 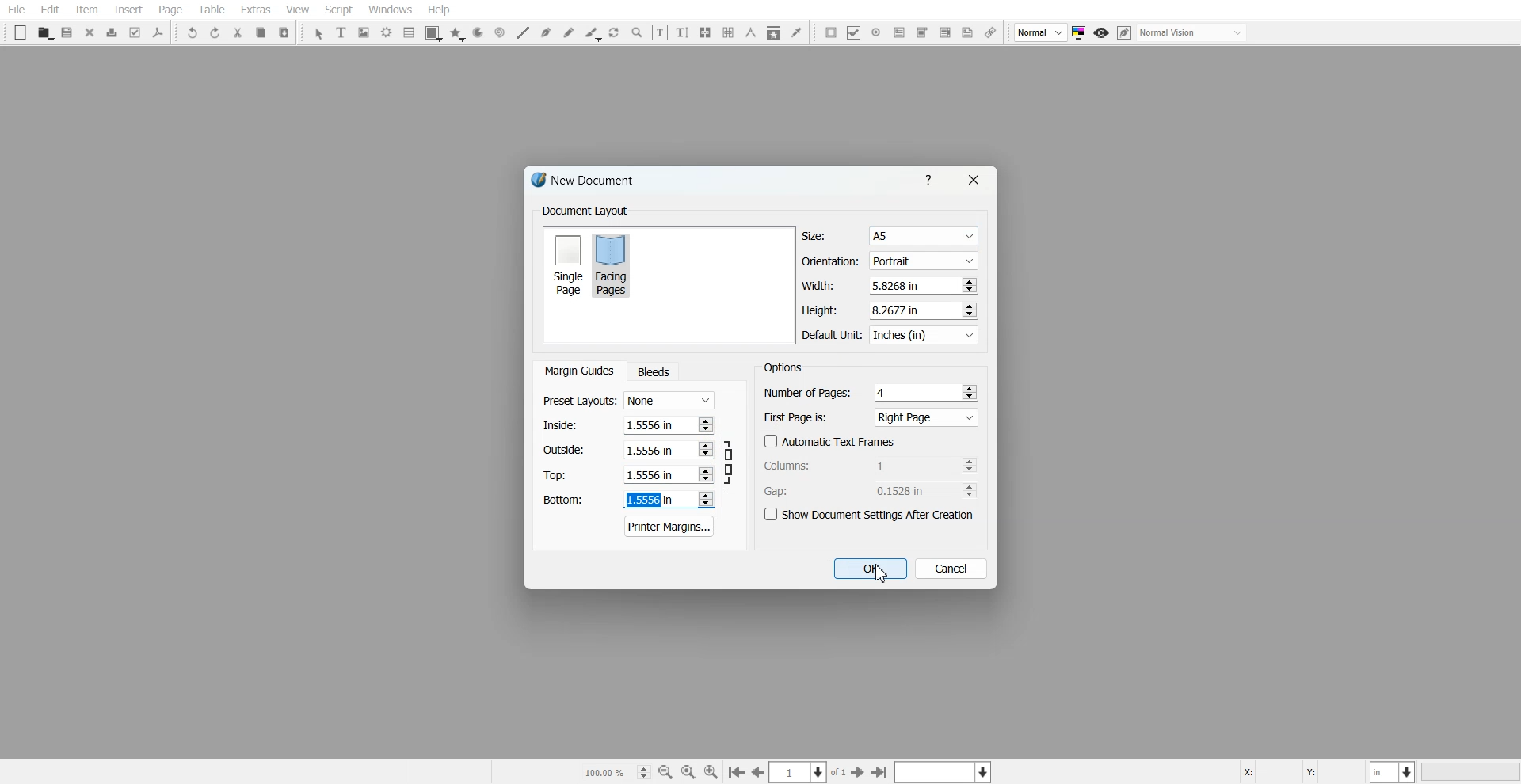 I want to click on Number of Pages, so click(x=871, y=392).